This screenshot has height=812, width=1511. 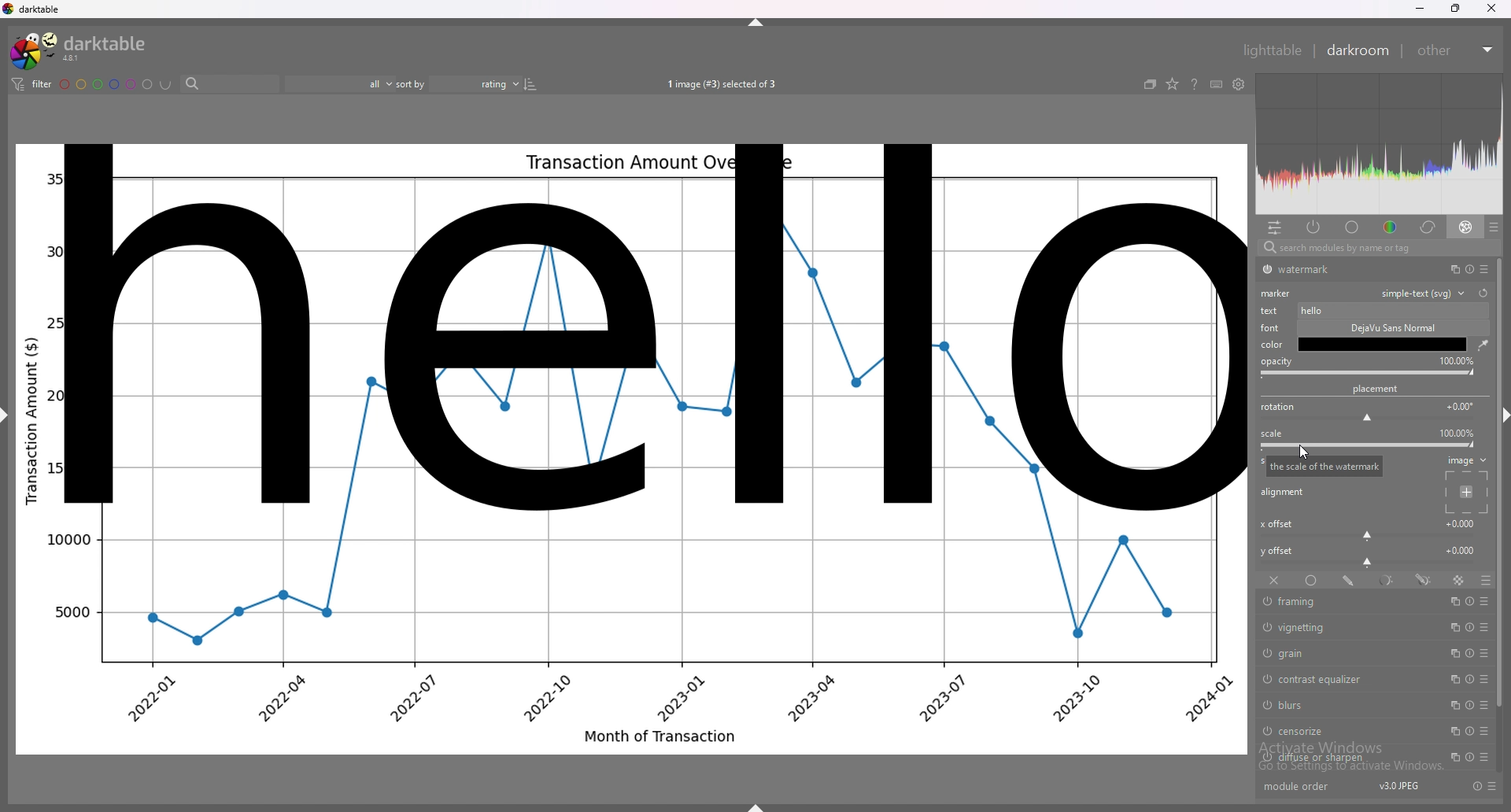 I want to click on reset, so click(x=1469, y=628).